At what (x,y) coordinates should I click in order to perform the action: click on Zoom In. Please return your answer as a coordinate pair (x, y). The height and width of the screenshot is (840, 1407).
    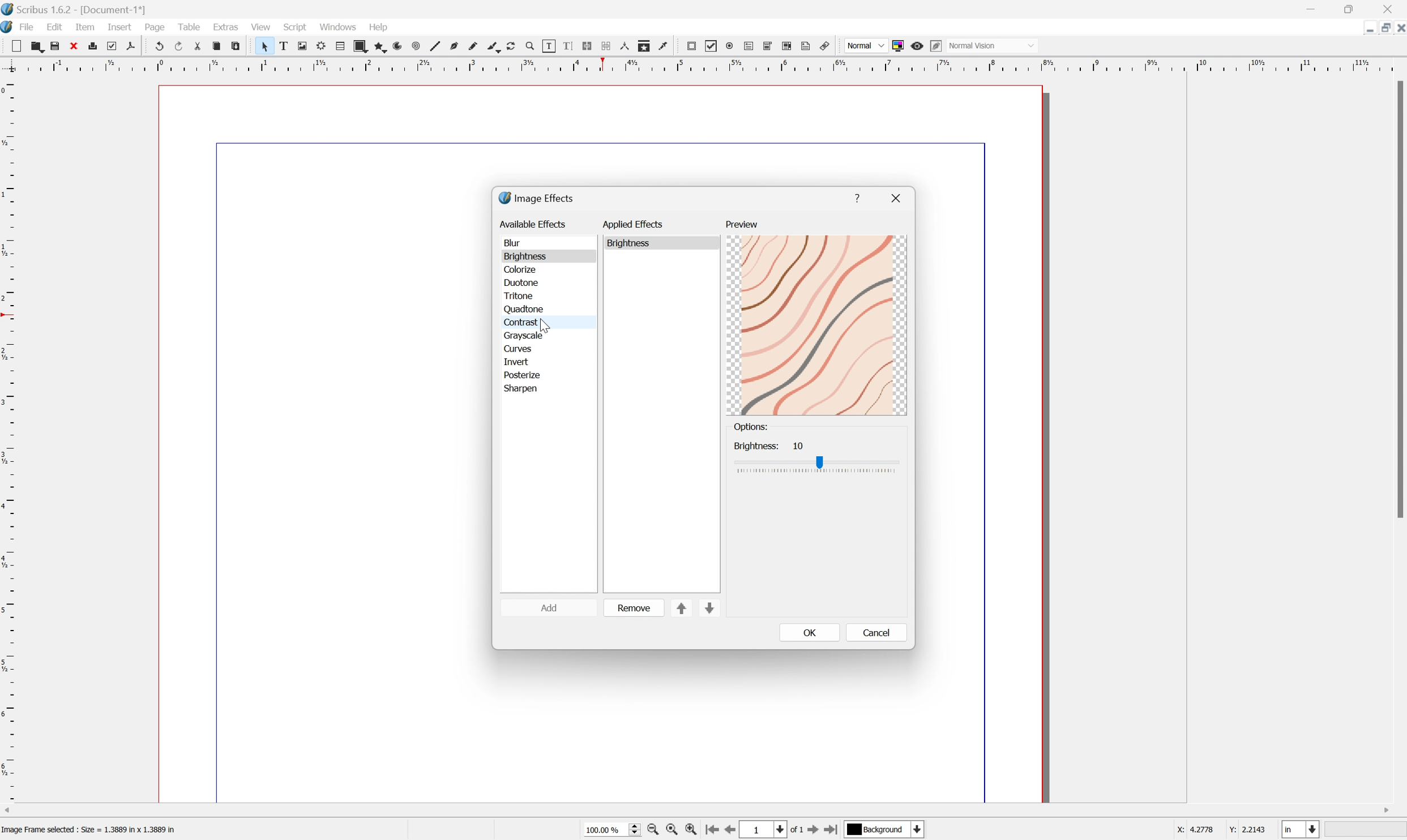
    Looking at the image, I should click on (693, 832).